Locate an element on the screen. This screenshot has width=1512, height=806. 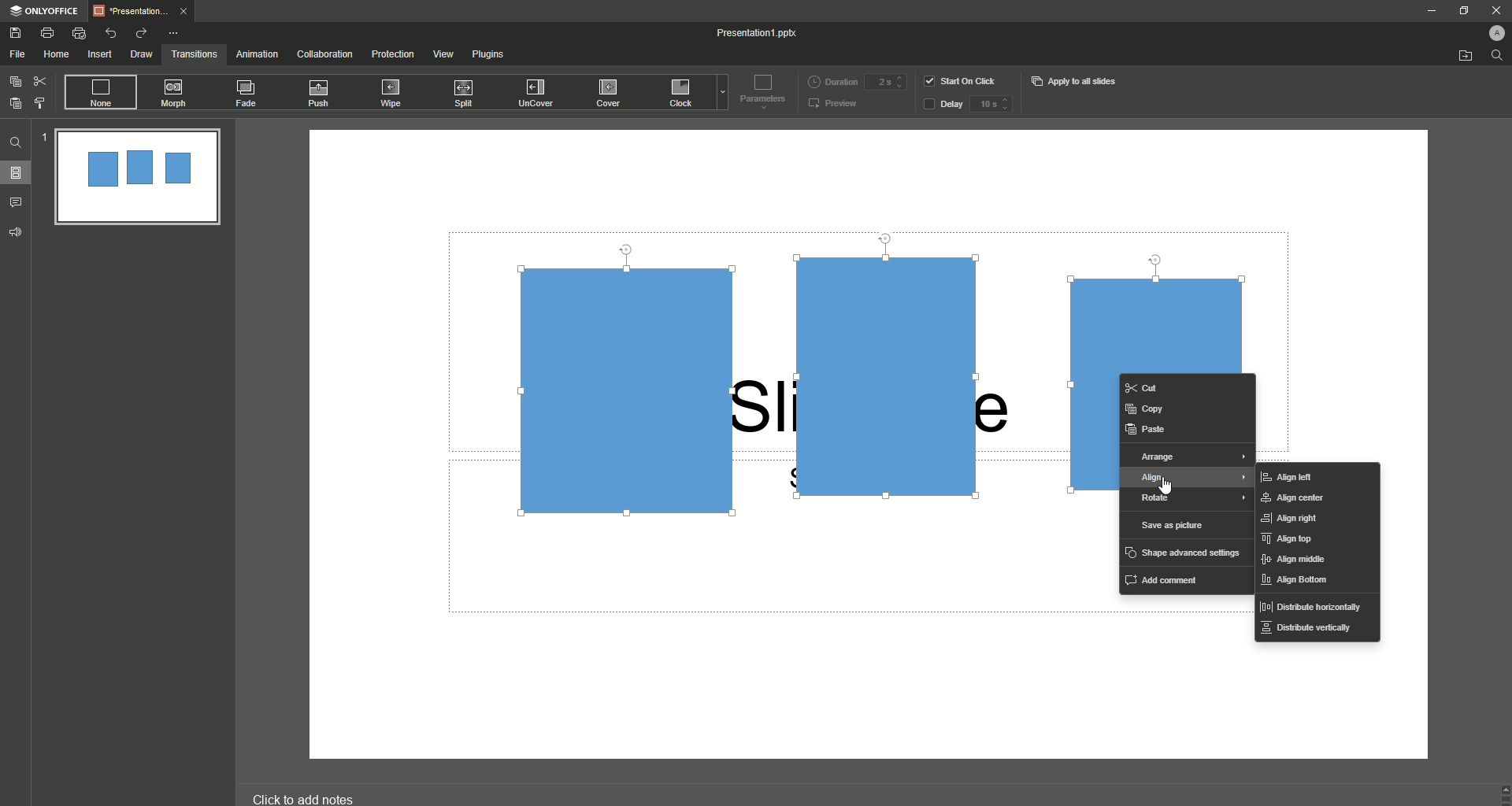
Undo is located at coordinates (112, 32).